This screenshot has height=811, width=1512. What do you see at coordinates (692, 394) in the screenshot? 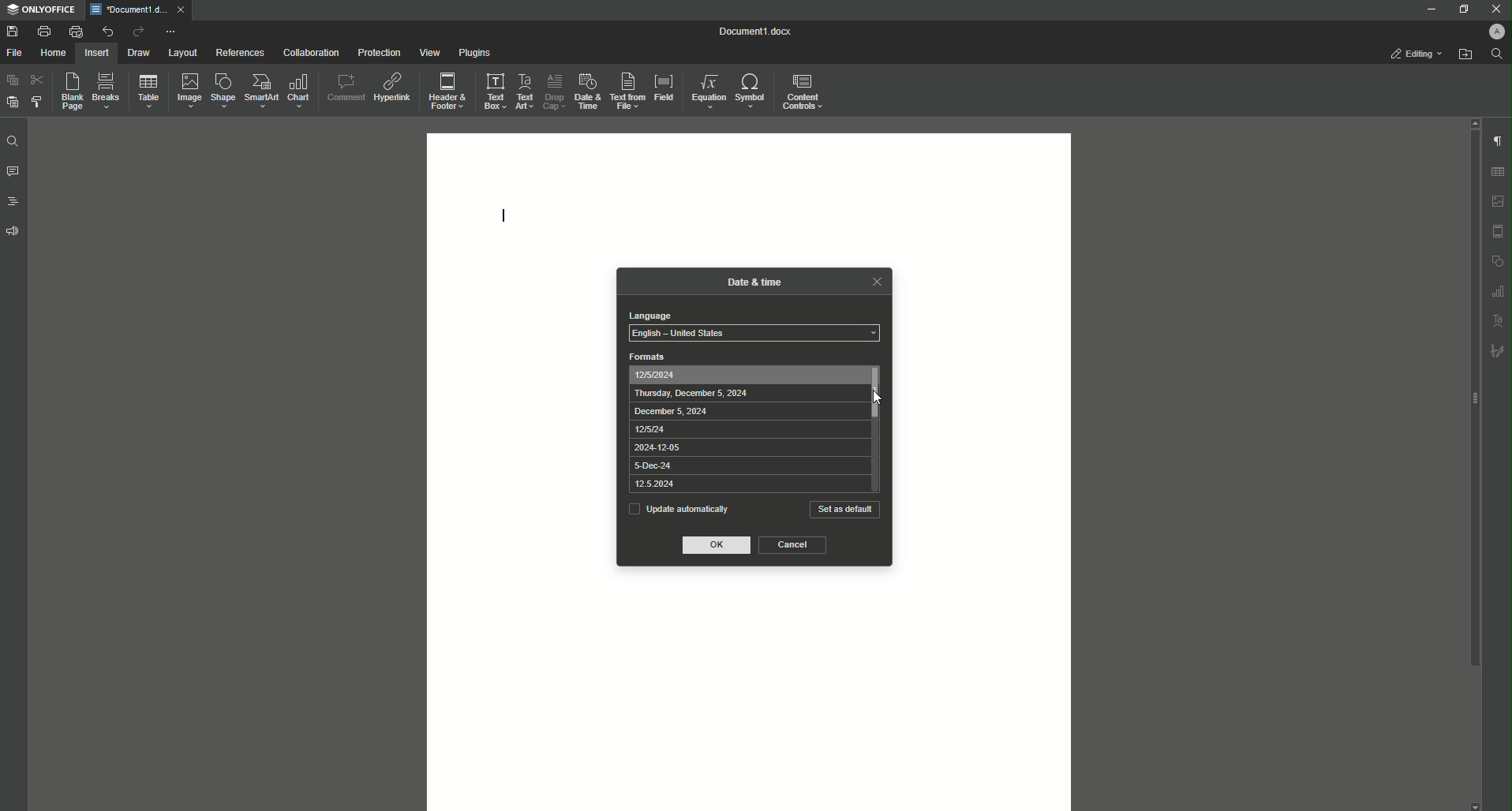
I see `Thursday, December 5, 2024` at bounding box center [692, 394].